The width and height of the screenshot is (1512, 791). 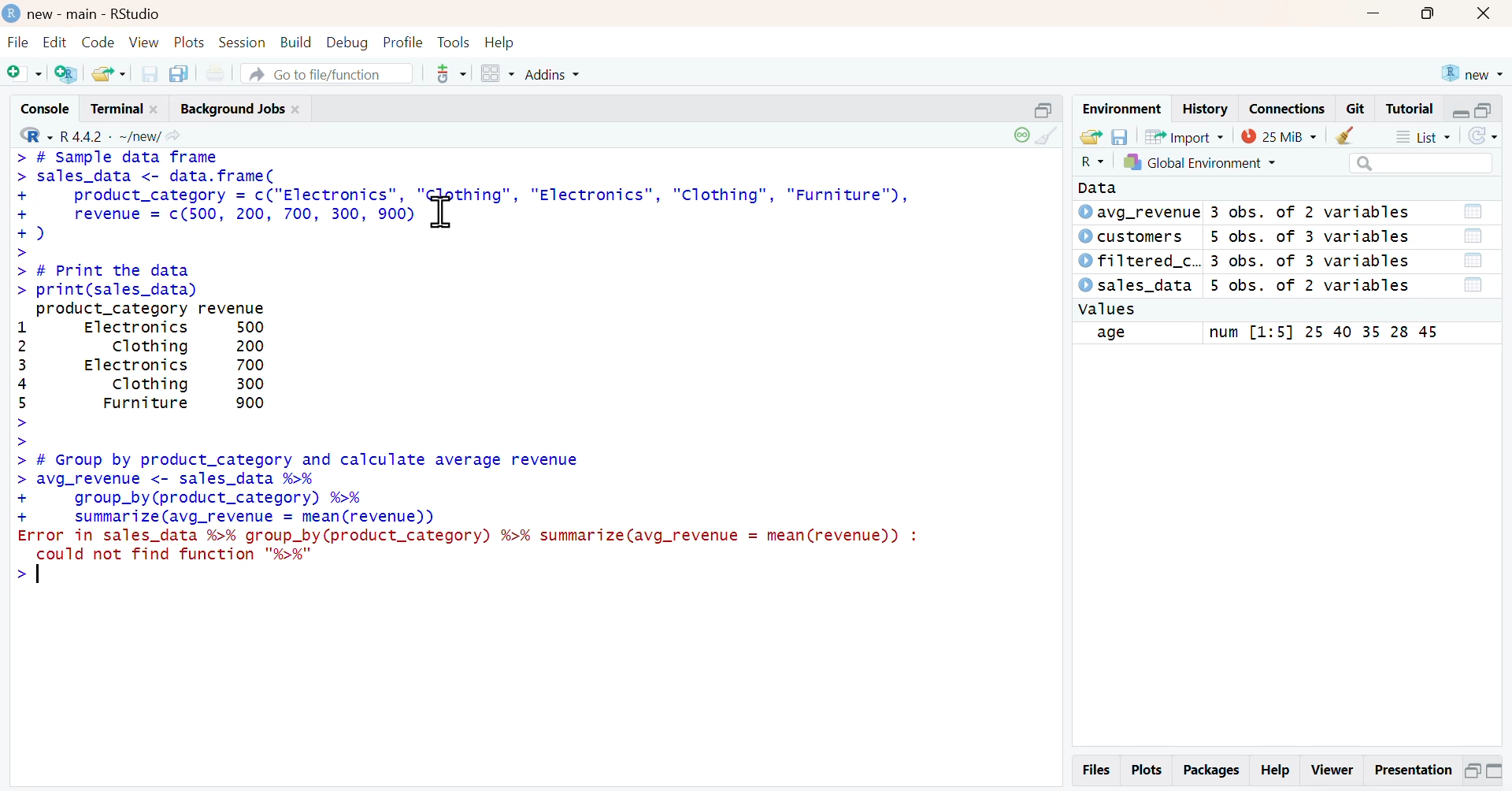 What do you see at coordinates (150, 75) in the screenshot?
I see `Save Current Document` at bounding box center [150, 75].